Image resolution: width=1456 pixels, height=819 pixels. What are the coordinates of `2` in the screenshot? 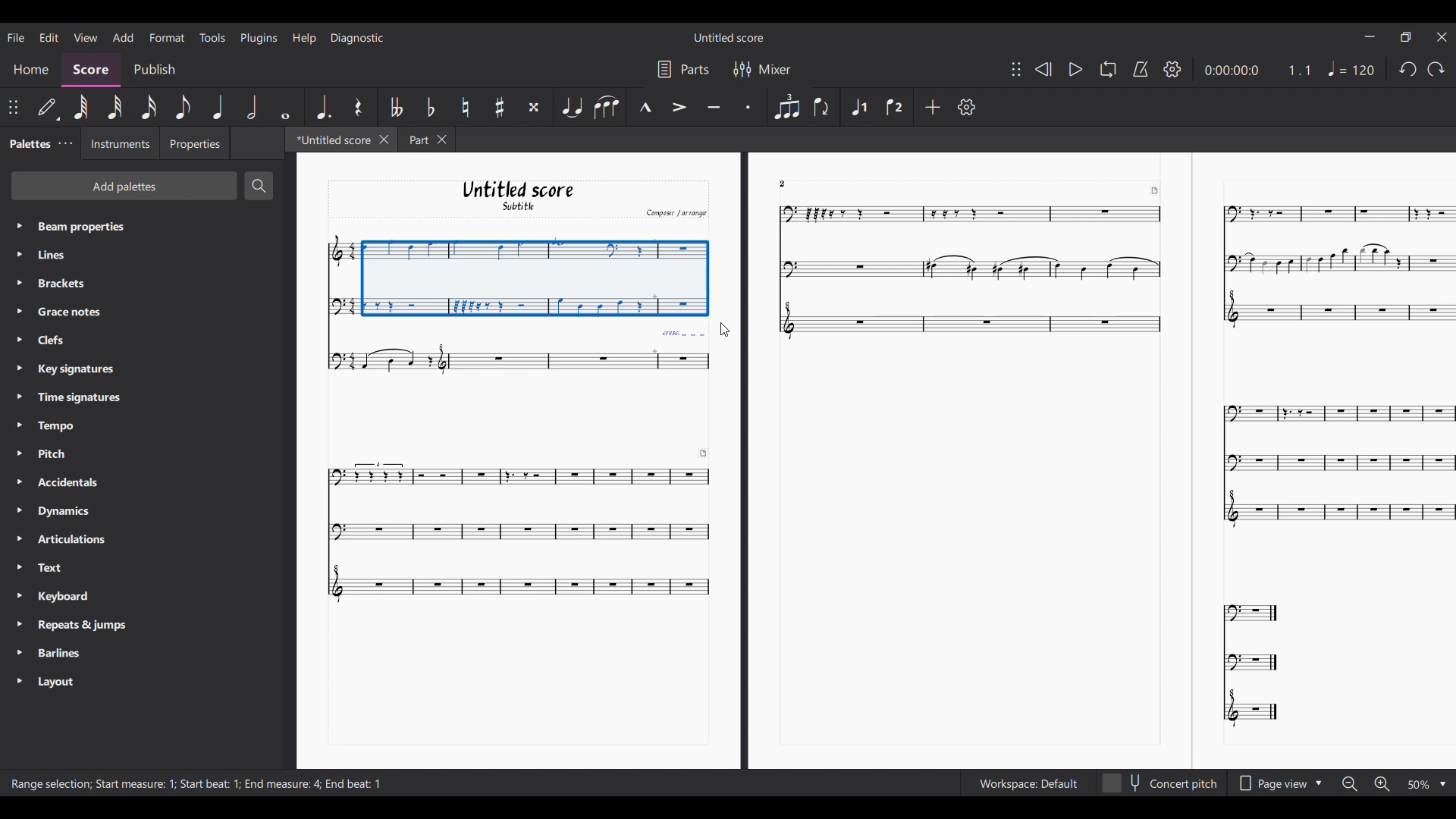 It's located at (792, 183).